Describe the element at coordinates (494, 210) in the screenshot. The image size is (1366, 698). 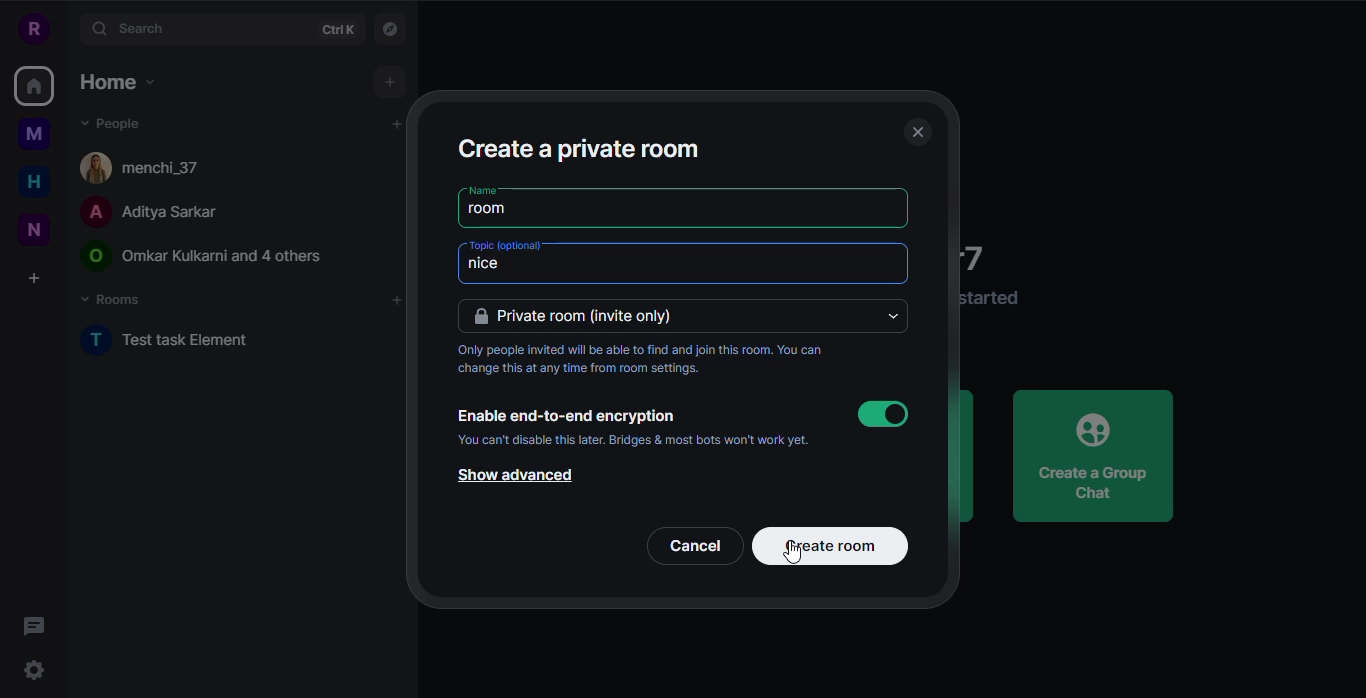
I see `room` at that location.